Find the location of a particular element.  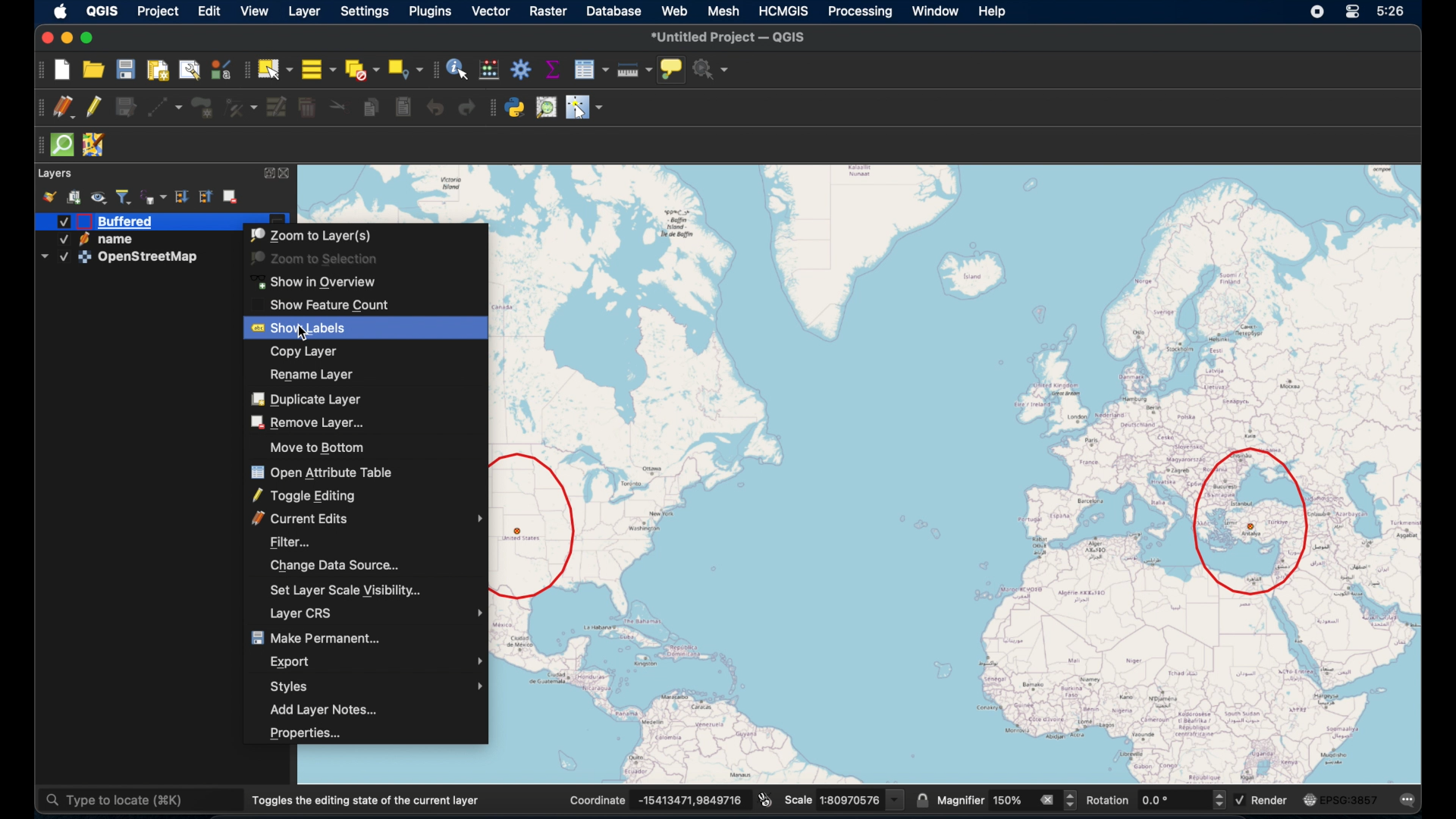

buffer around feature is located at coordinates (1252, 524).